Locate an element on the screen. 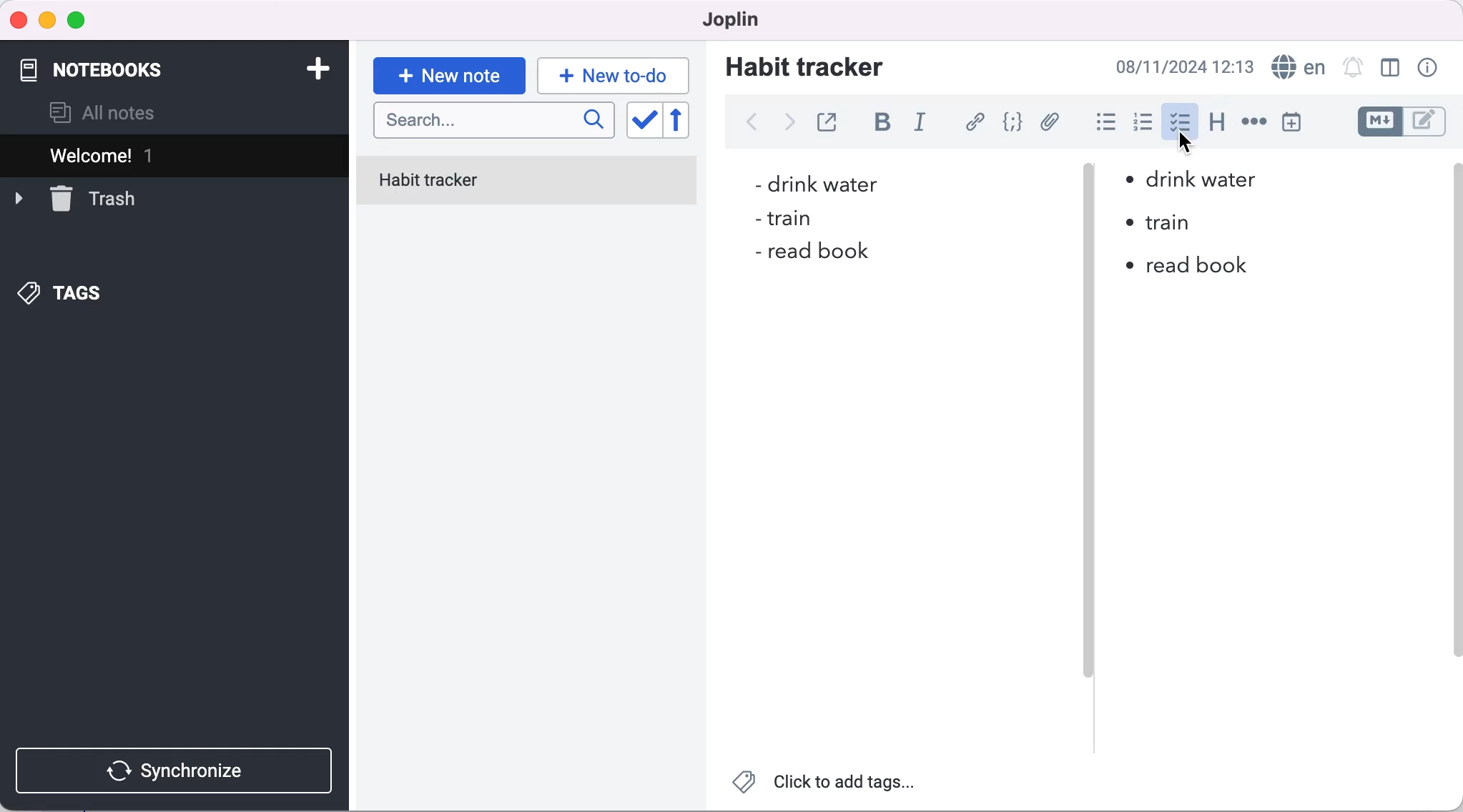 This screenshot has height=812, width=1463. • train is located at coordinates (1176, 224).